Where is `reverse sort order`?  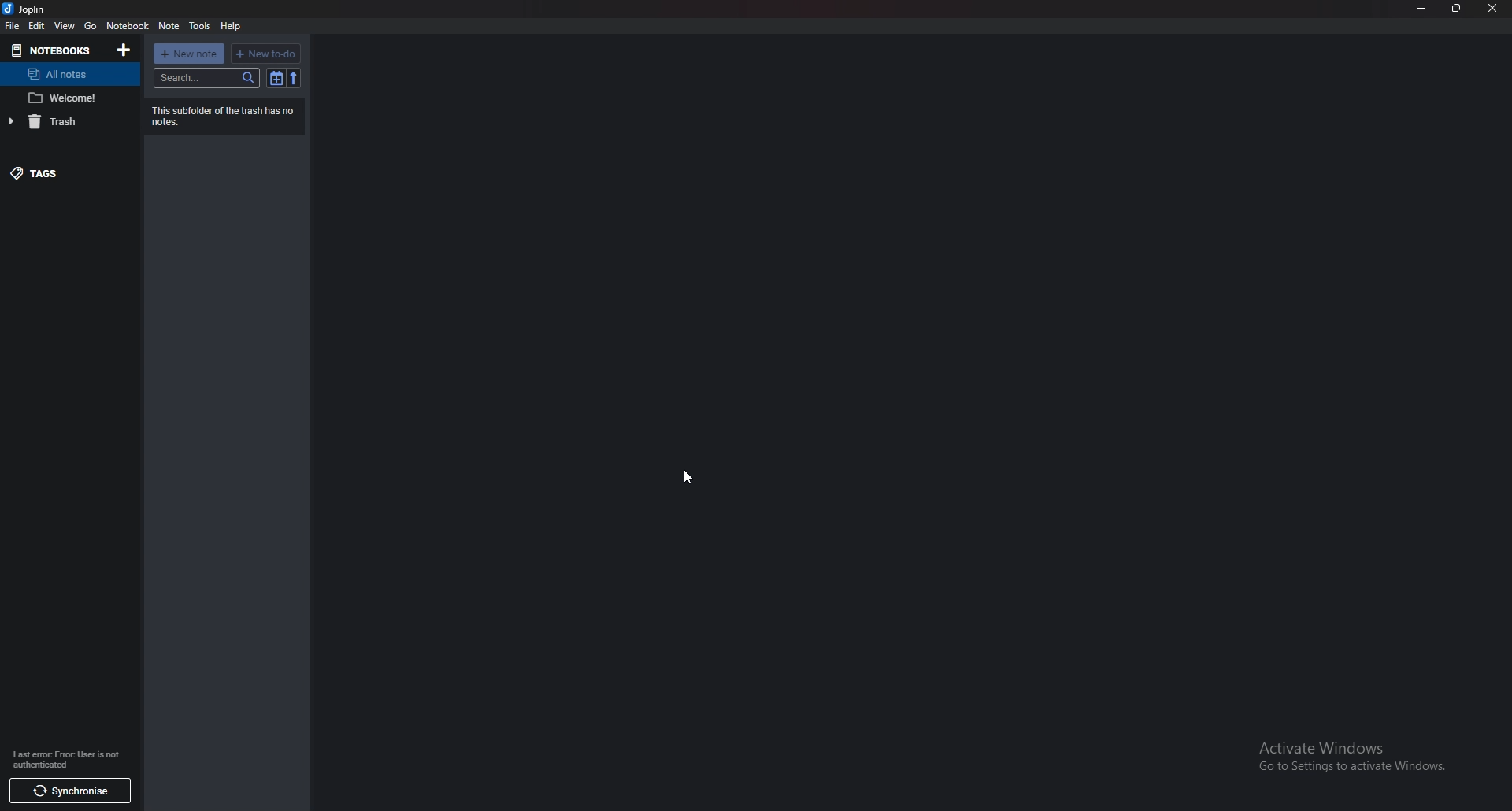 reverse sort order is located at coordinates (295, 78).